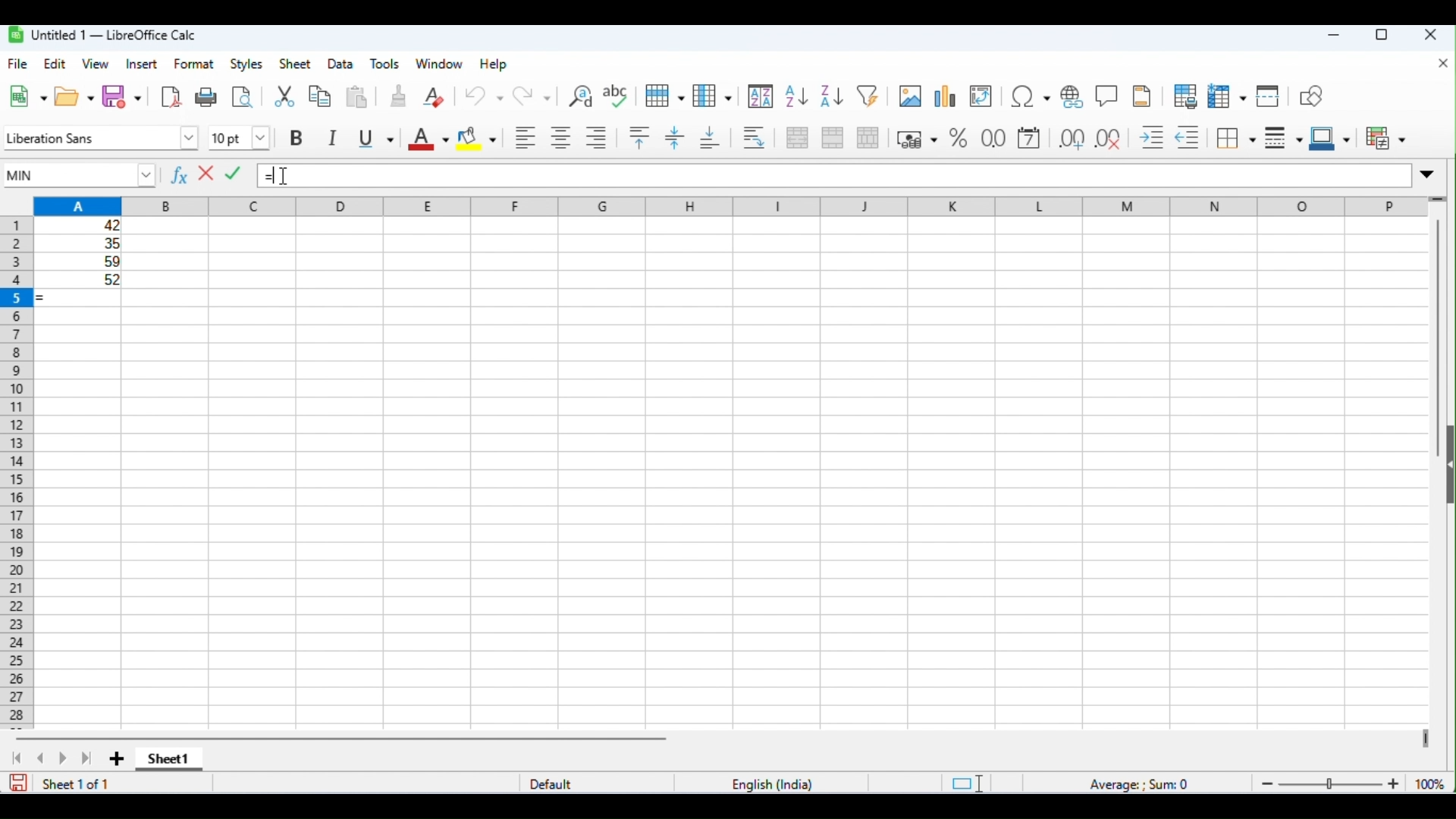  I want to click on edit, so click(56, 65).